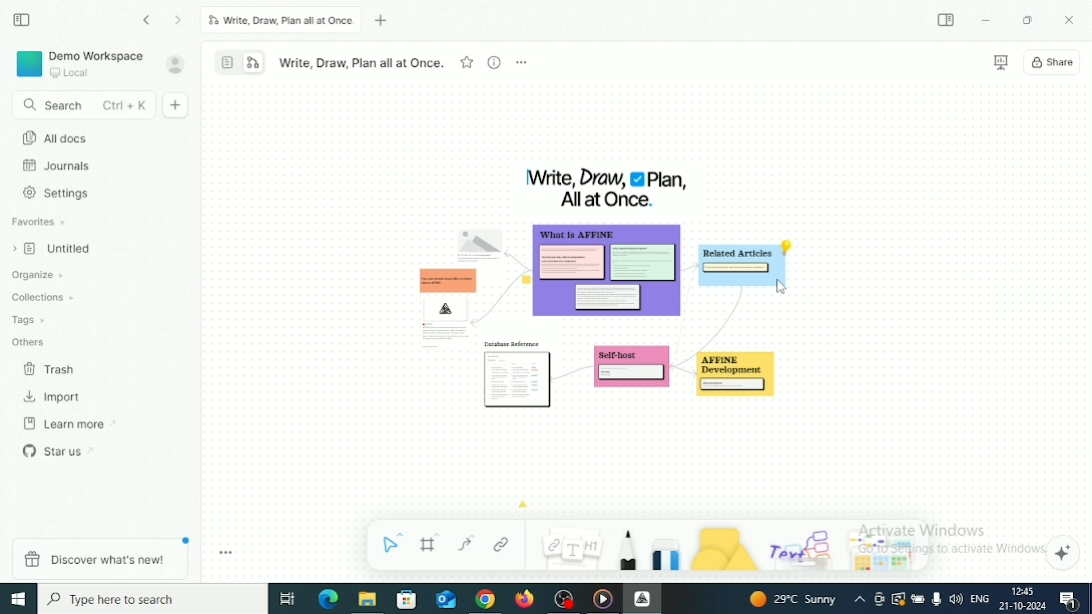  What do you see at coordinates (480, 239) in the screenshot?
I see `Image` at bounding box center [480, 239].